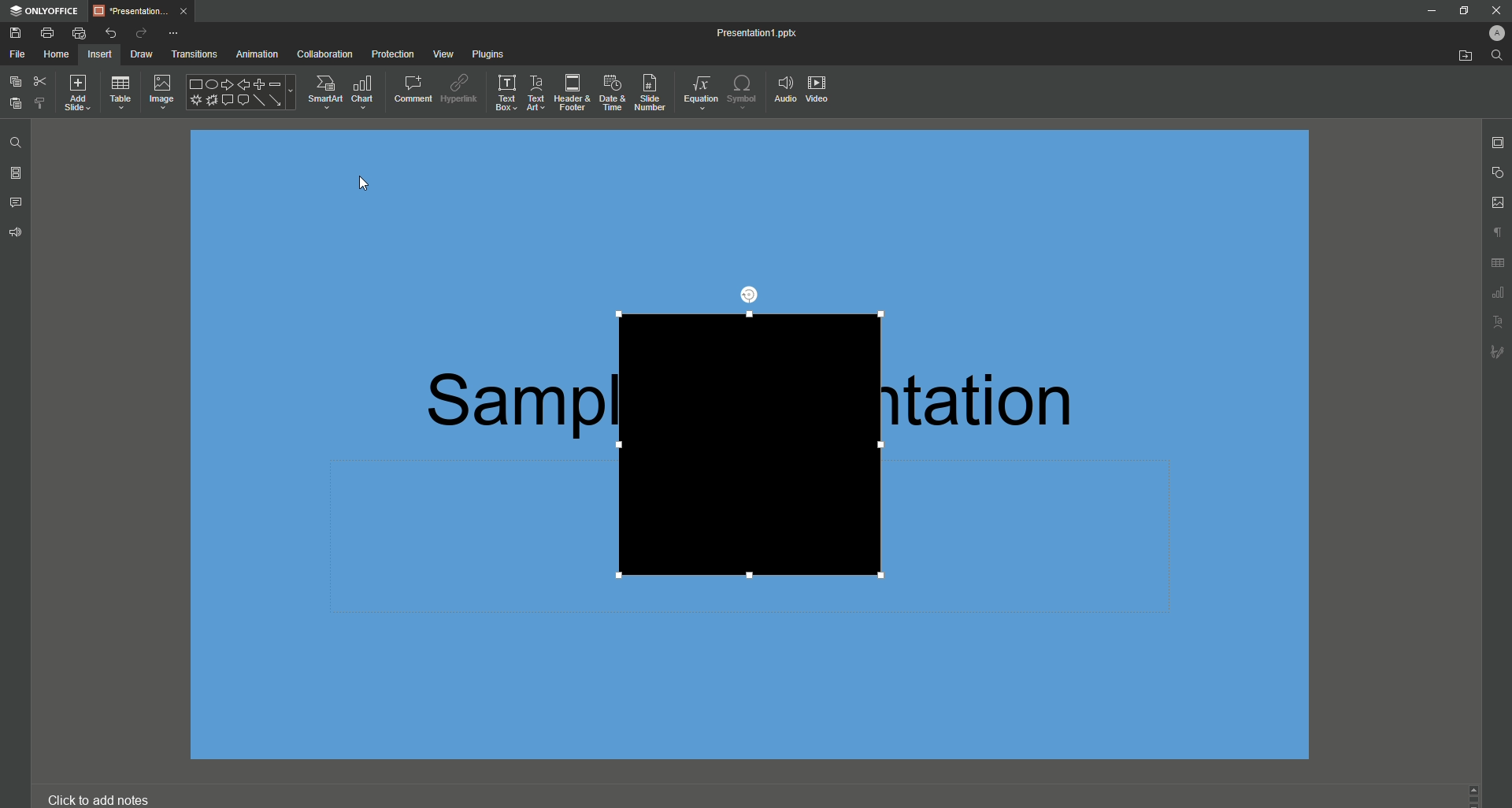 This screenshot has height=808, width=1512. Describe the element at coordinates (105, 794) in the screenshot. I see `Click to add notes` at that location.